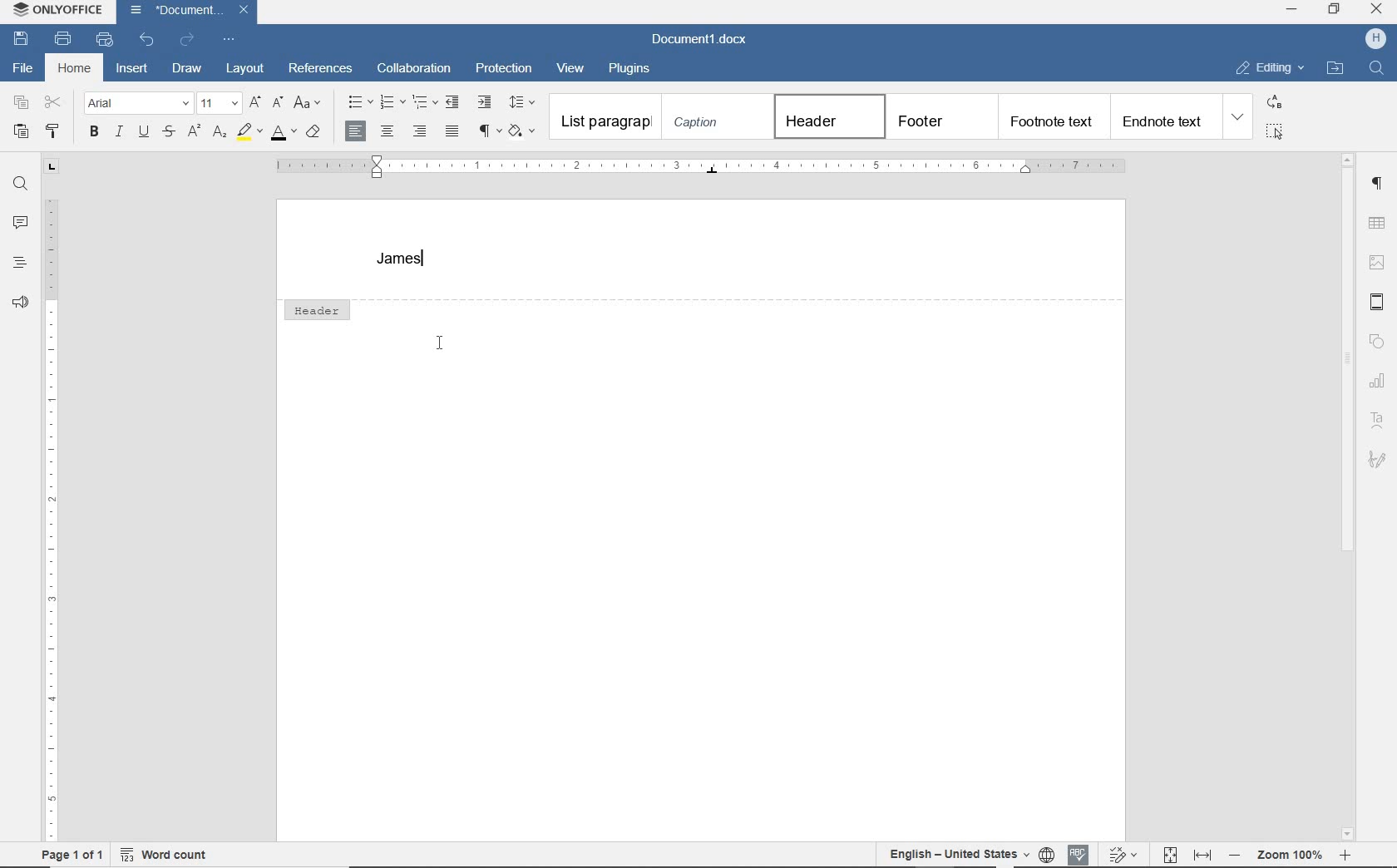  I want to click on set documentlanguage, so click(1046, 854).